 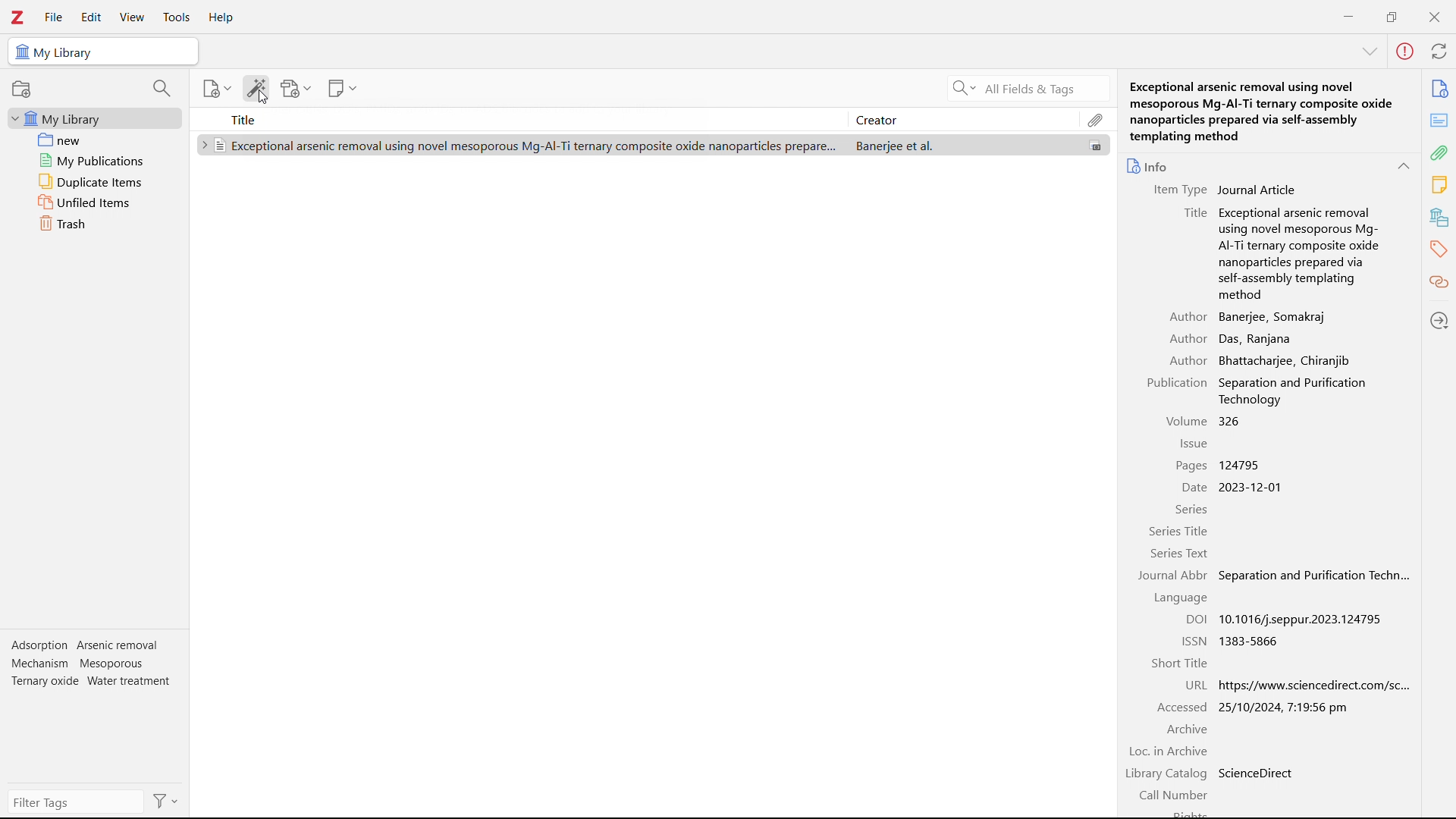 What do you see at coordinates (1303, 619) in the screenshot?
I see `10.1016/j.seppur.2023.124795` at bounding box center [1303, 619].